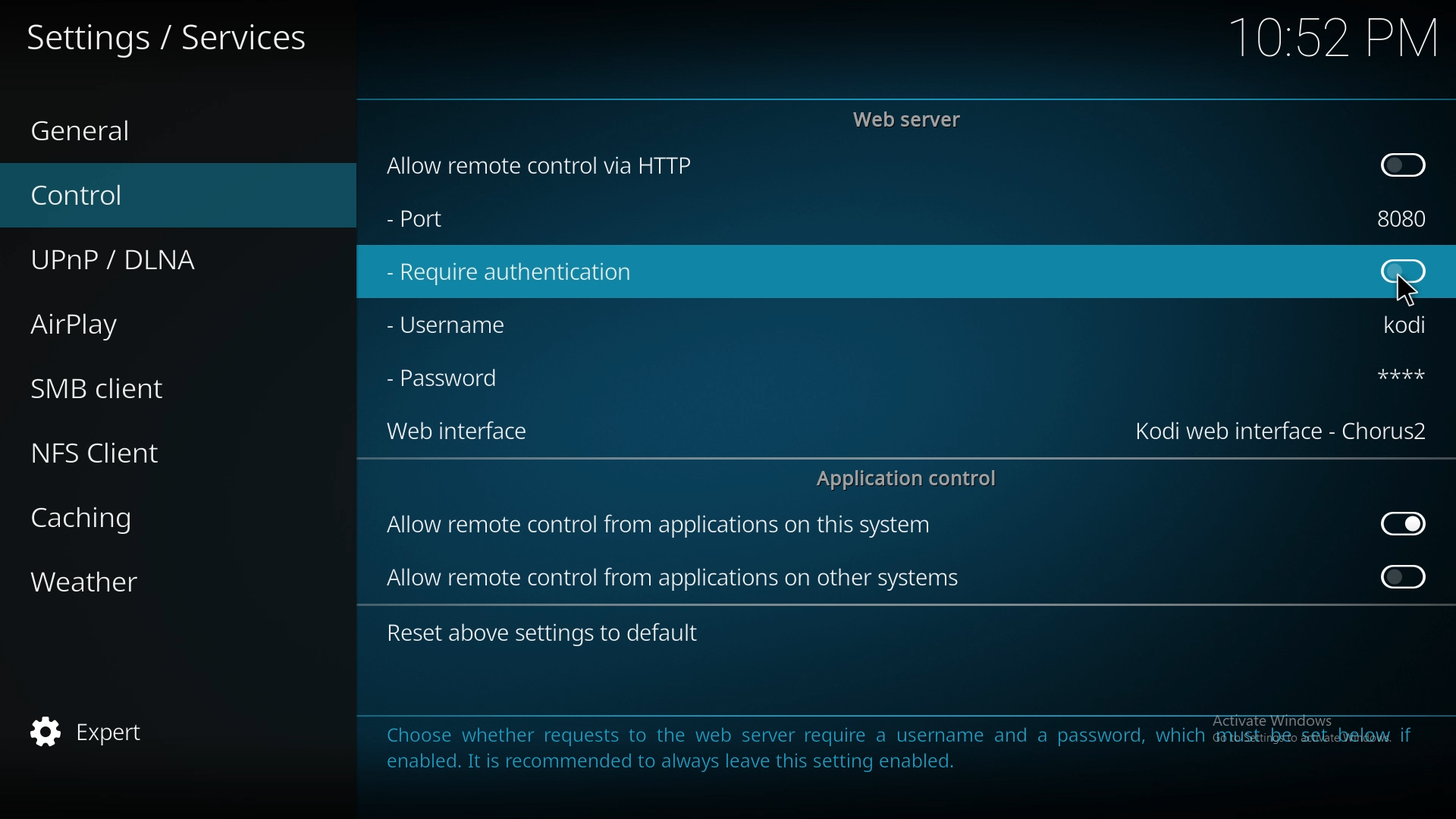 The height and width of the screenshot is (819, 1456). What do you see at coordinates (548, 634) in the screenshot?
I see `reset` at bounding box center [548, 634].